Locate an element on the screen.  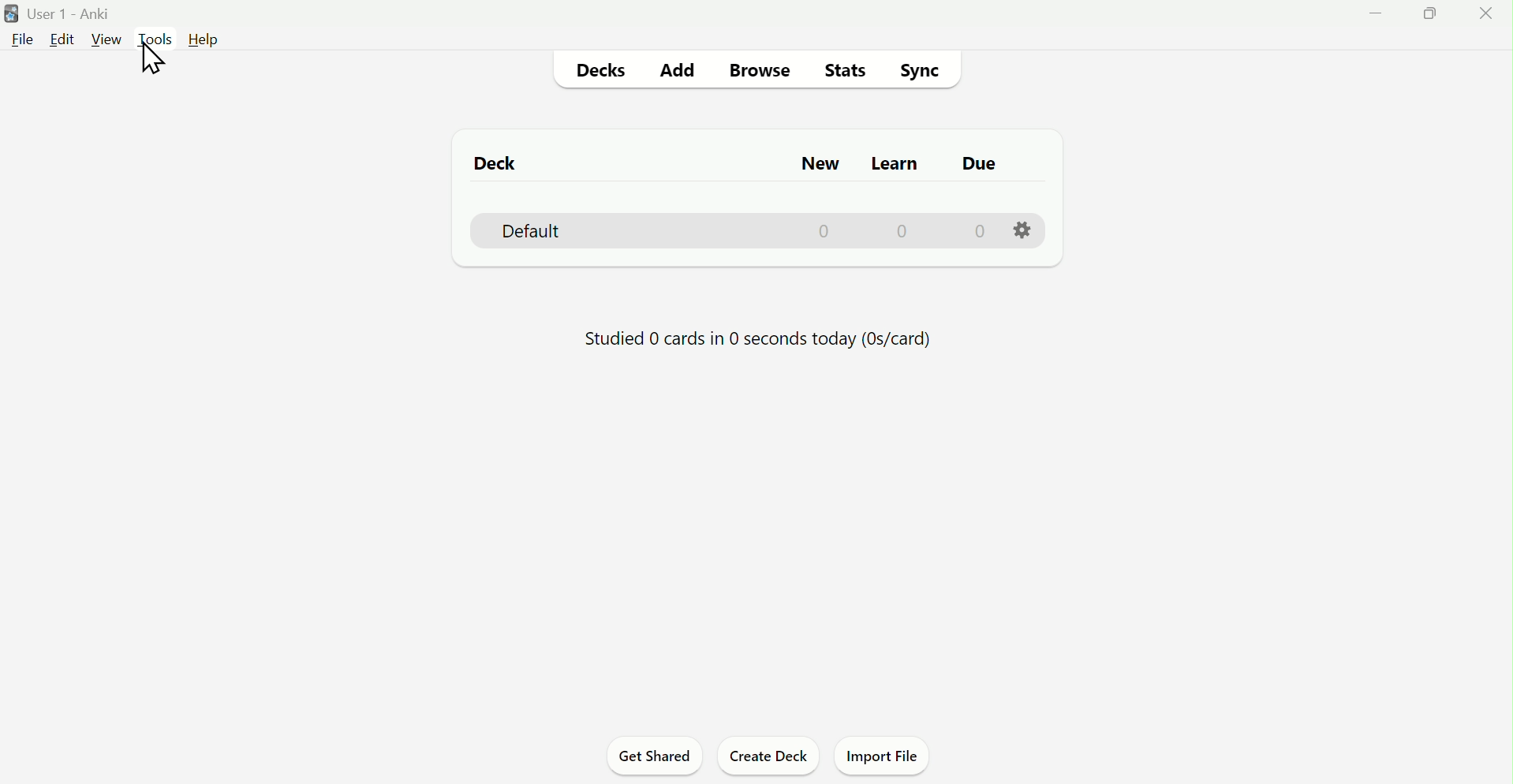
Add is located at coordinates (679, 70).